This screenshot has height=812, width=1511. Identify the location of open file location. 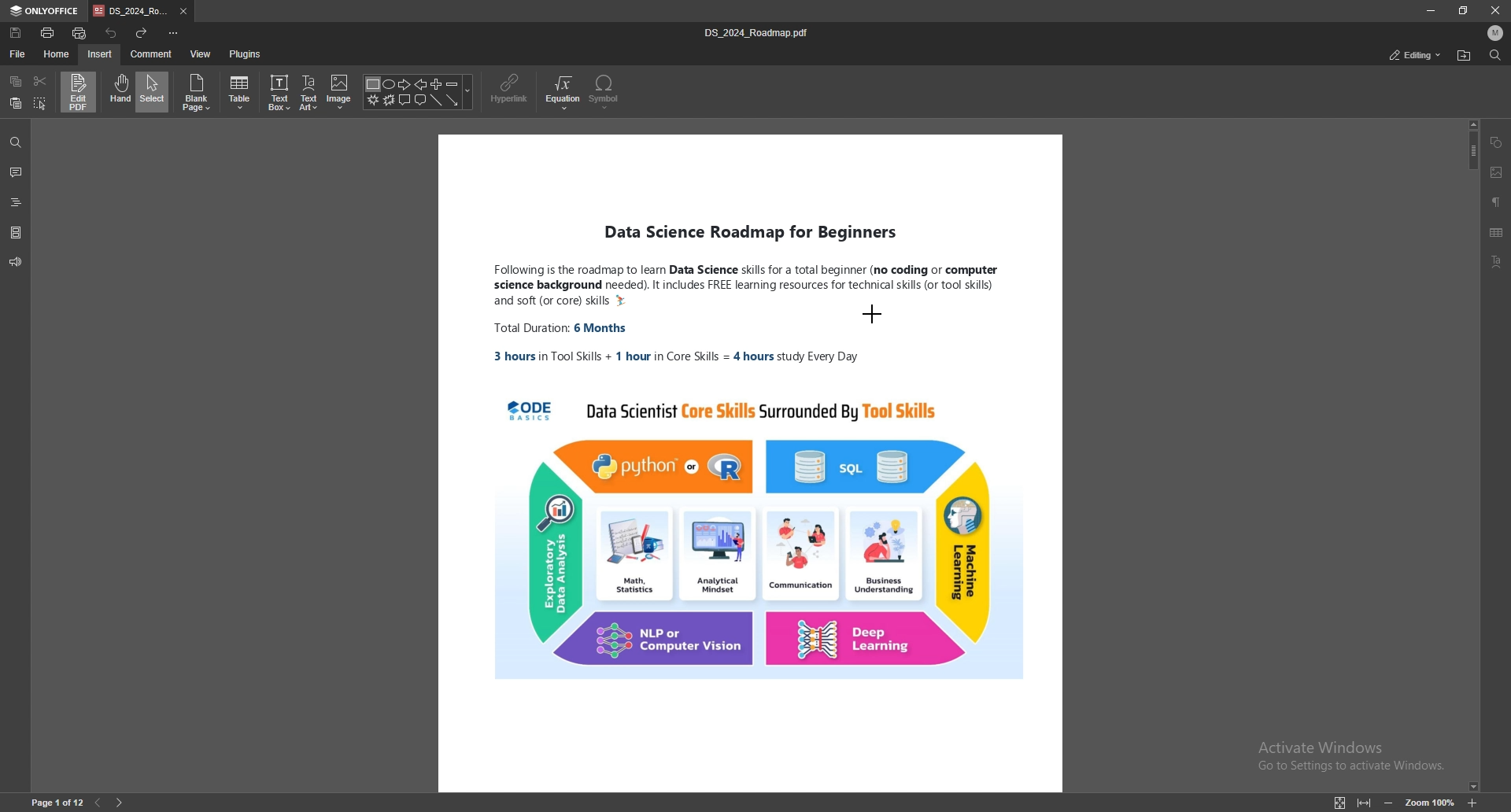
(1463, 56).